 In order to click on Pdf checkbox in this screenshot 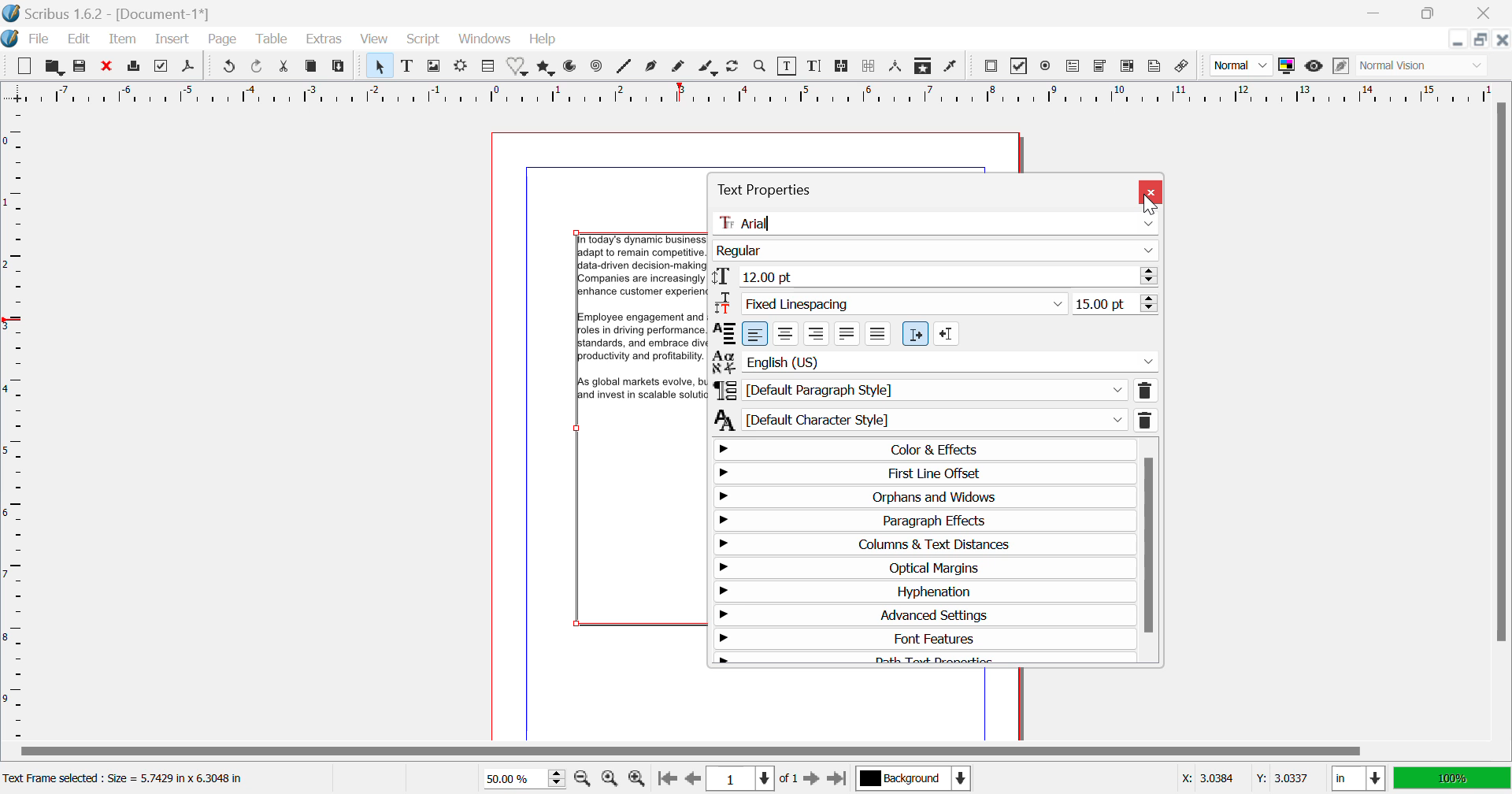, I will do `click(1020, 66)`.